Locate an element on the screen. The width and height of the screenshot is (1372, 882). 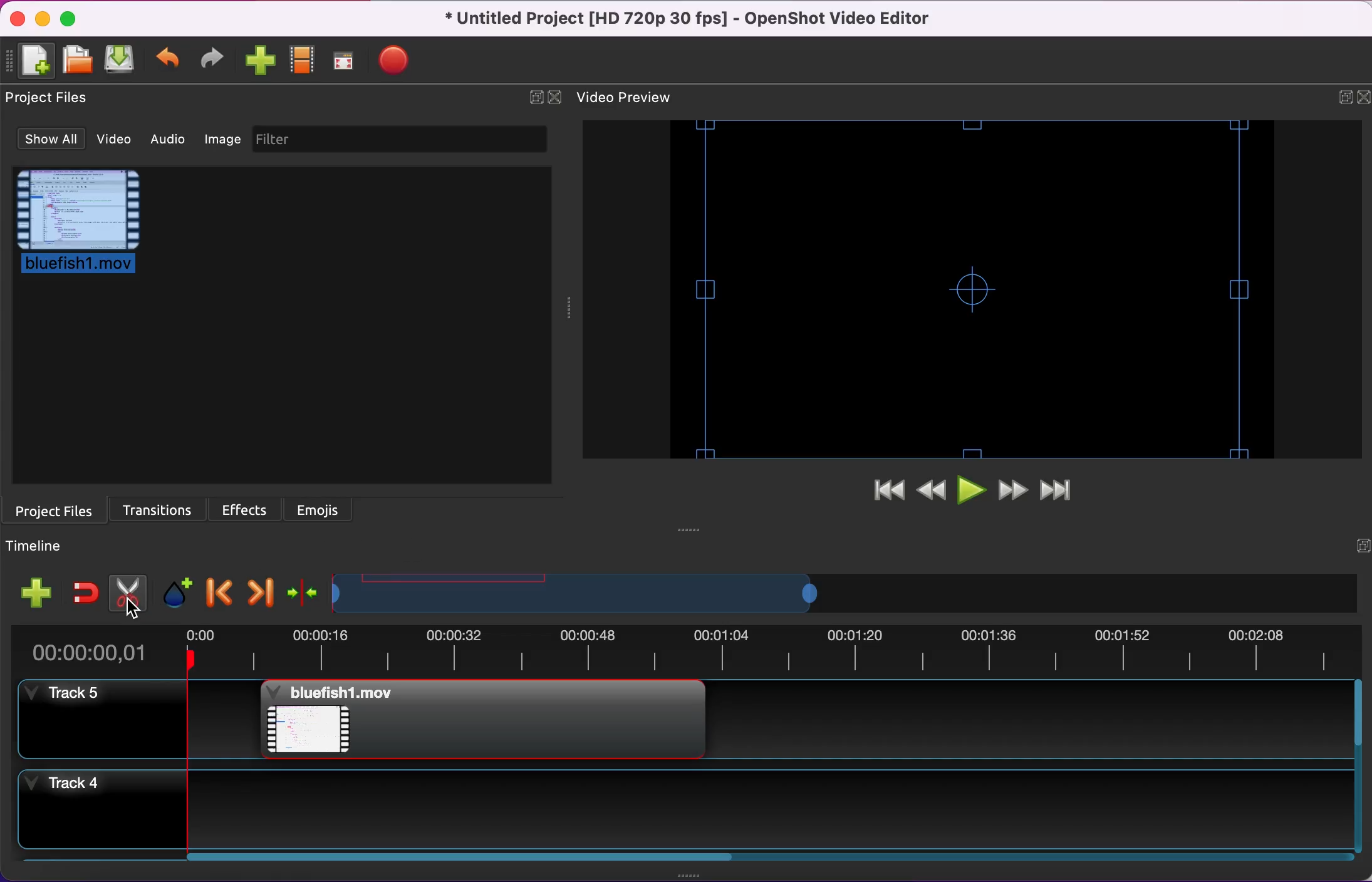
undo is located at coordinates (169, 61).